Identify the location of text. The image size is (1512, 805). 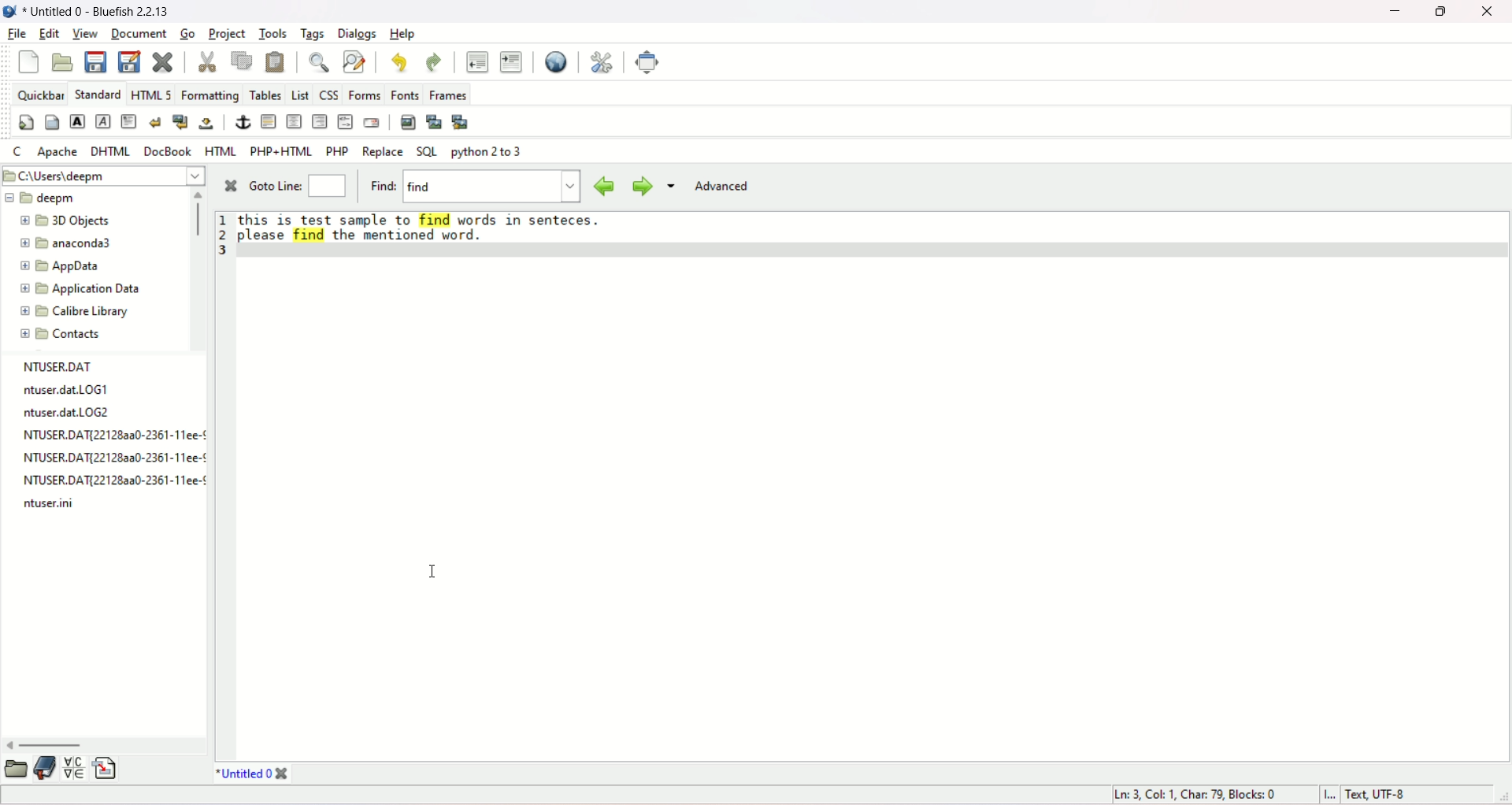
(413, 237).